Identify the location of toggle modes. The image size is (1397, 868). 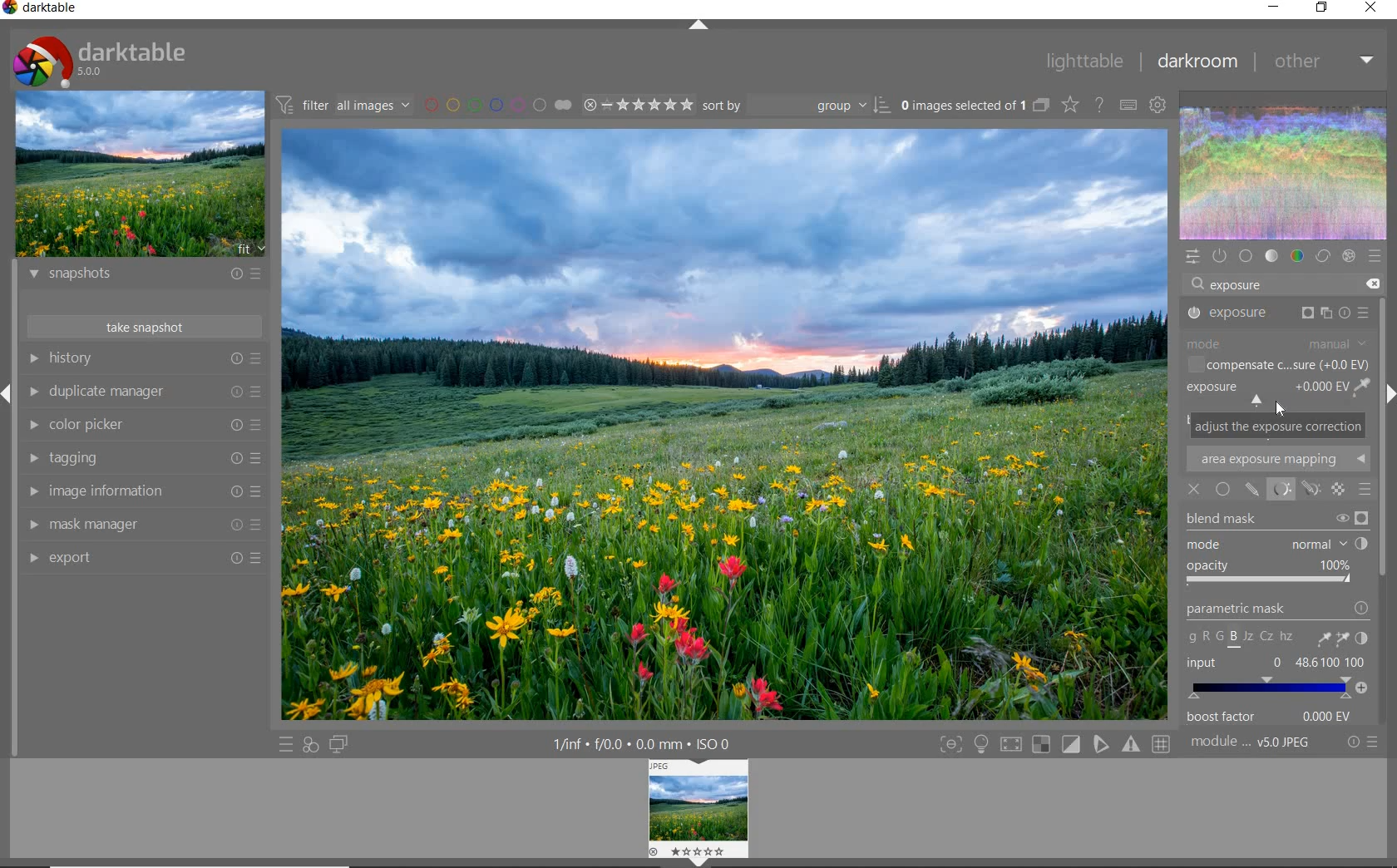
(1054, 745).